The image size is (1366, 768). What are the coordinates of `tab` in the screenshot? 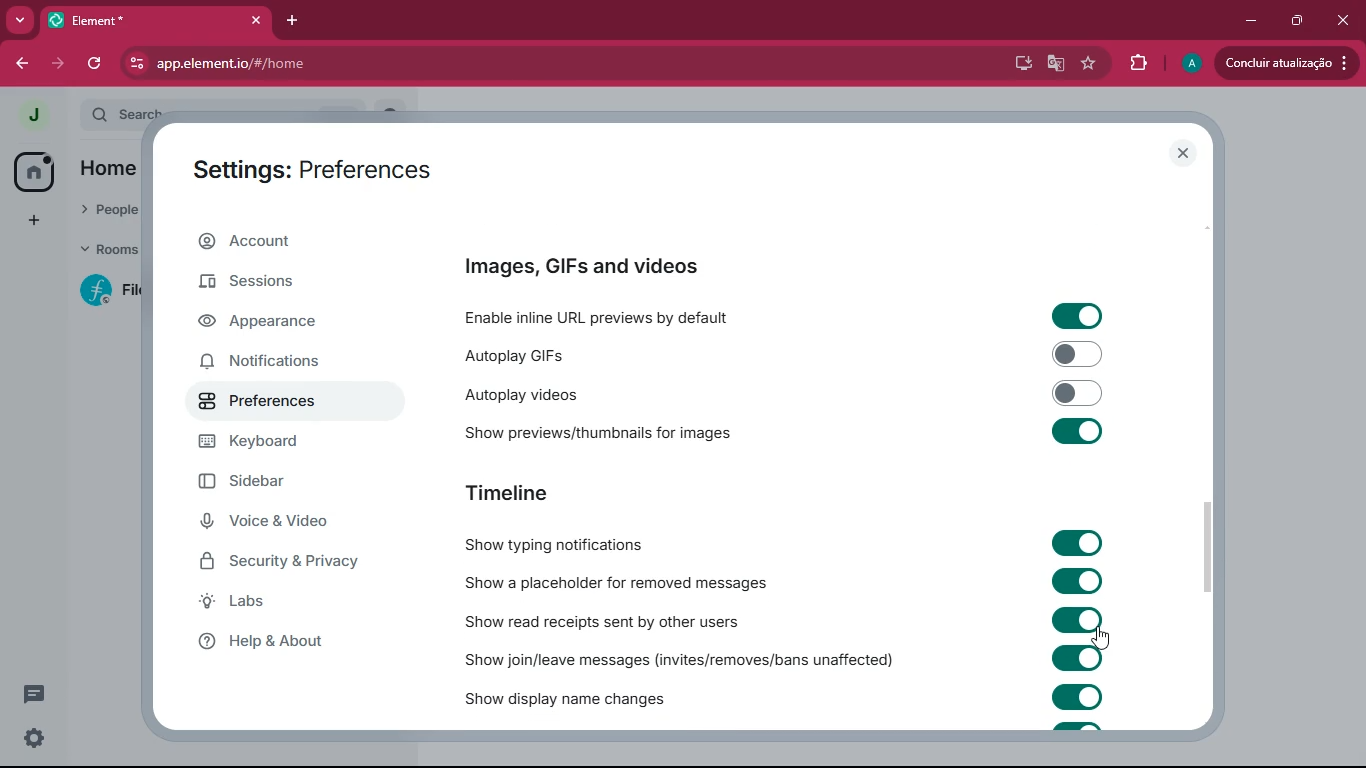 It's located at (128, 20).